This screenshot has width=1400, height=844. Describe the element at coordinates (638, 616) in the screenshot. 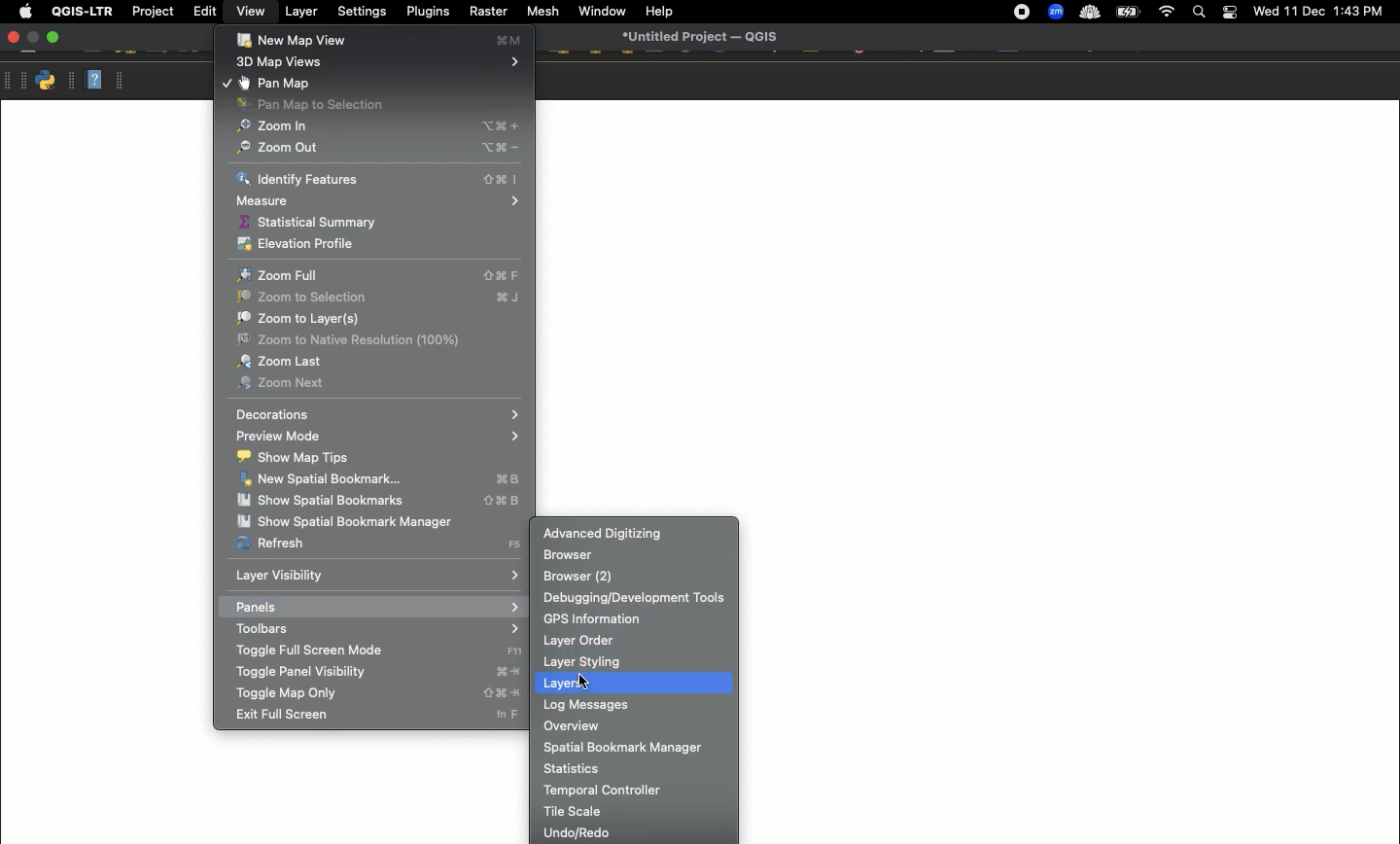

I see `GPS information` at that location.